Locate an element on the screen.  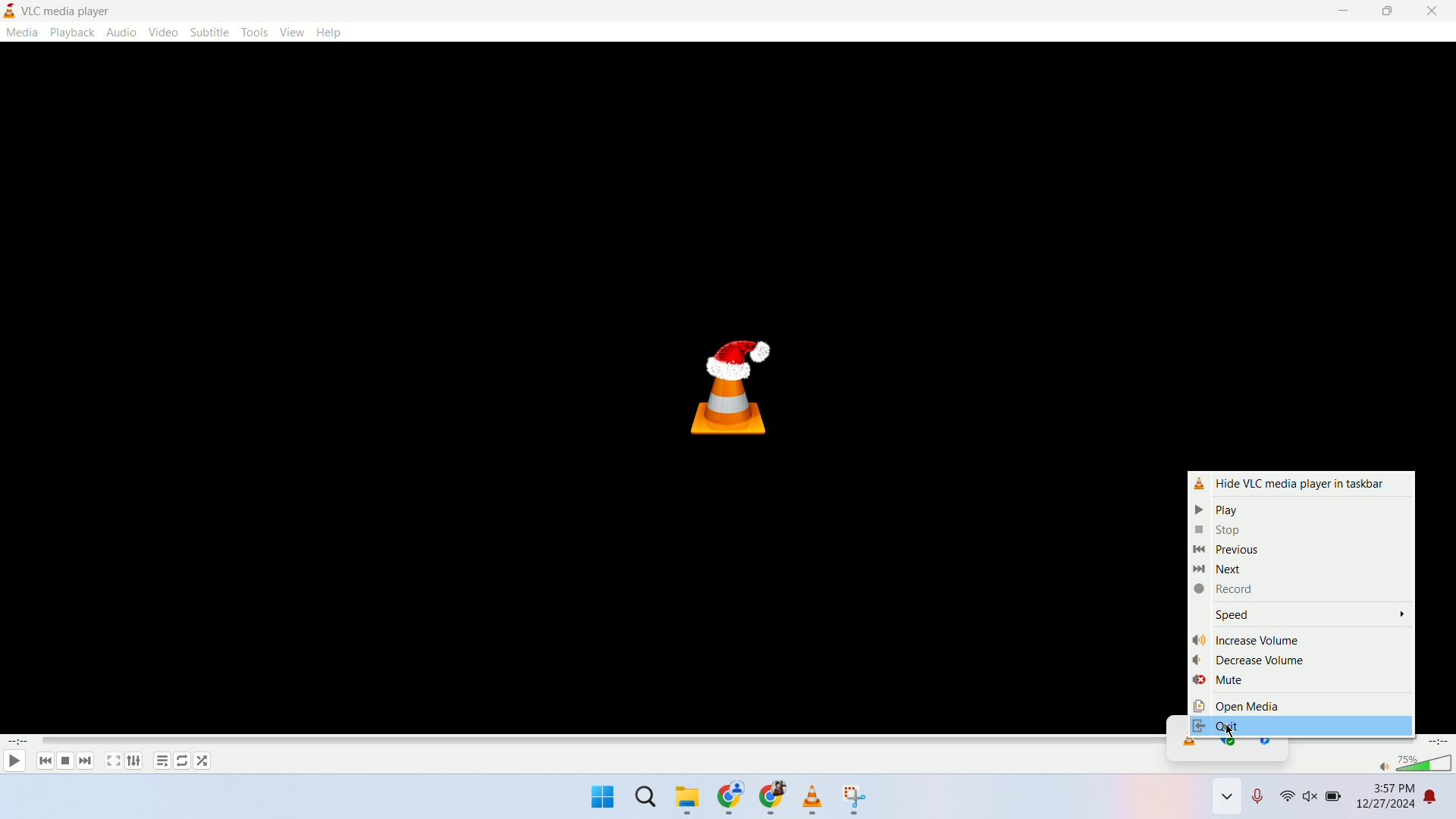
elapsed time is located at coordinates (17, 742).